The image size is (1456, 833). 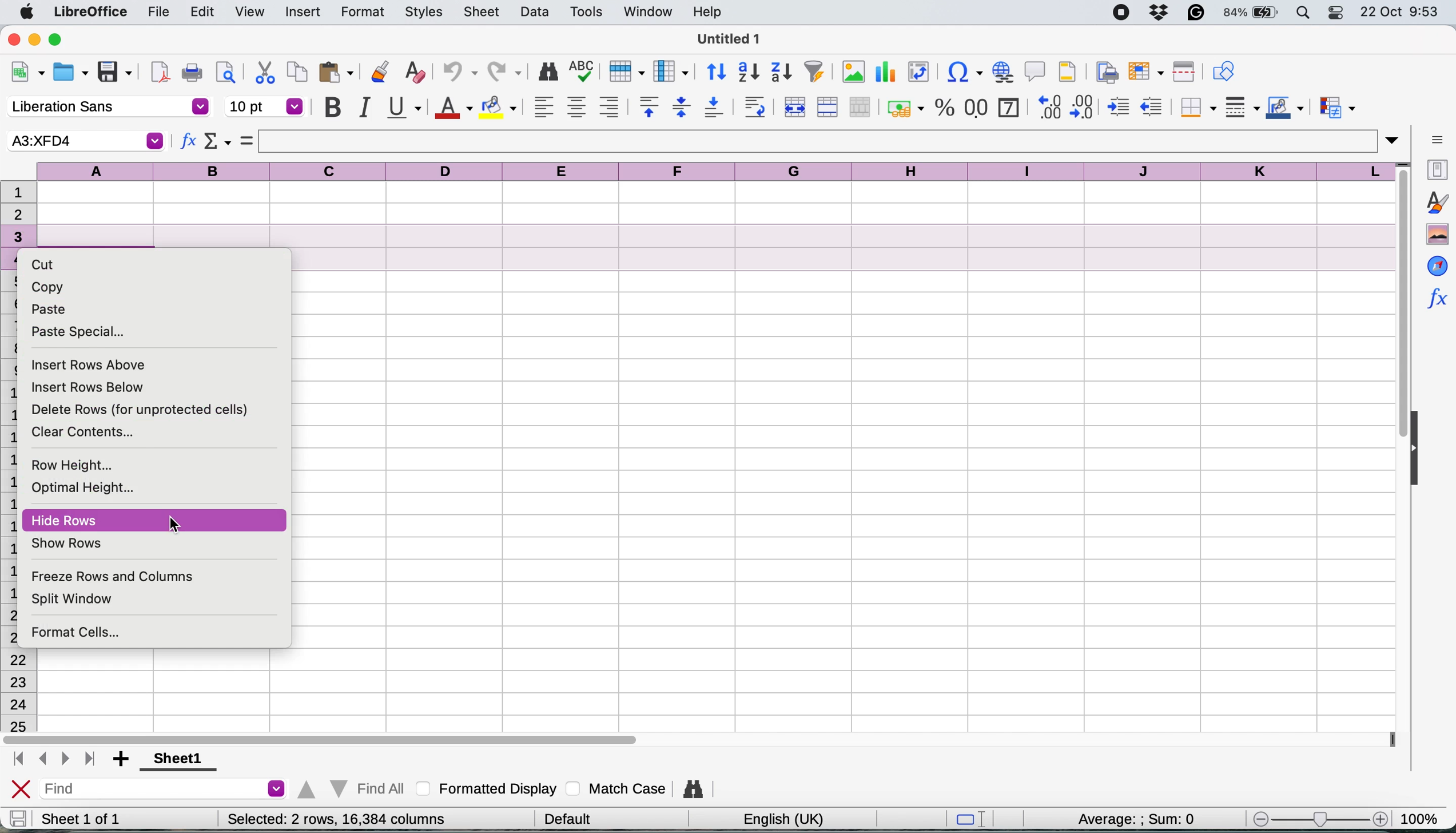 I want to click on function wizard, so click(x=1436, y=296).